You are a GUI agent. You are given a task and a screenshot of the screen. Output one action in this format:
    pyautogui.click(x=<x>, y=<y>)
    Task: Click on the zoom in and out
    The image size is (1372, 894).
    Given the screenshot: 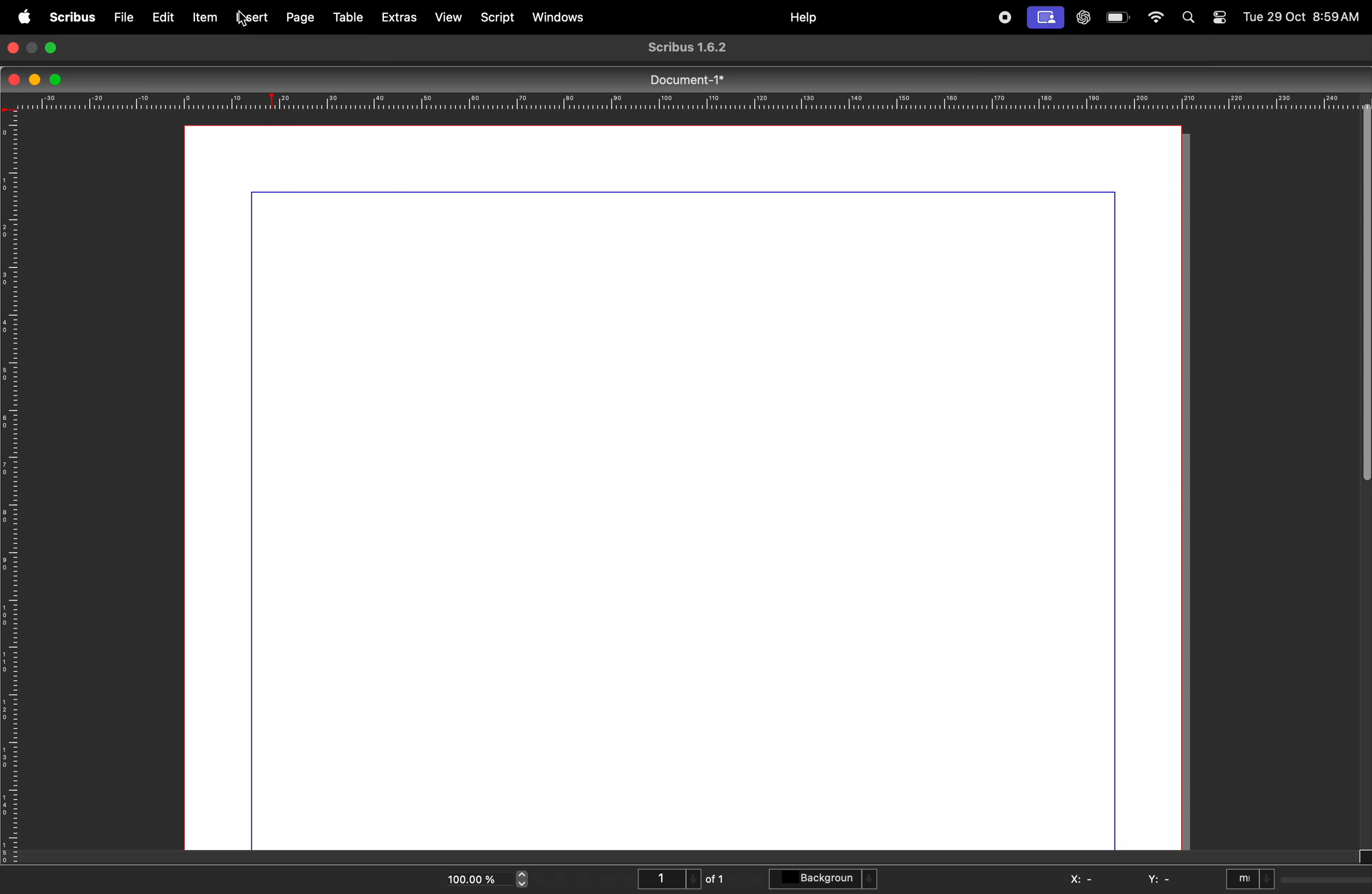 What is the action you would take?
    pyautogui.click(x=523, y=880)
    